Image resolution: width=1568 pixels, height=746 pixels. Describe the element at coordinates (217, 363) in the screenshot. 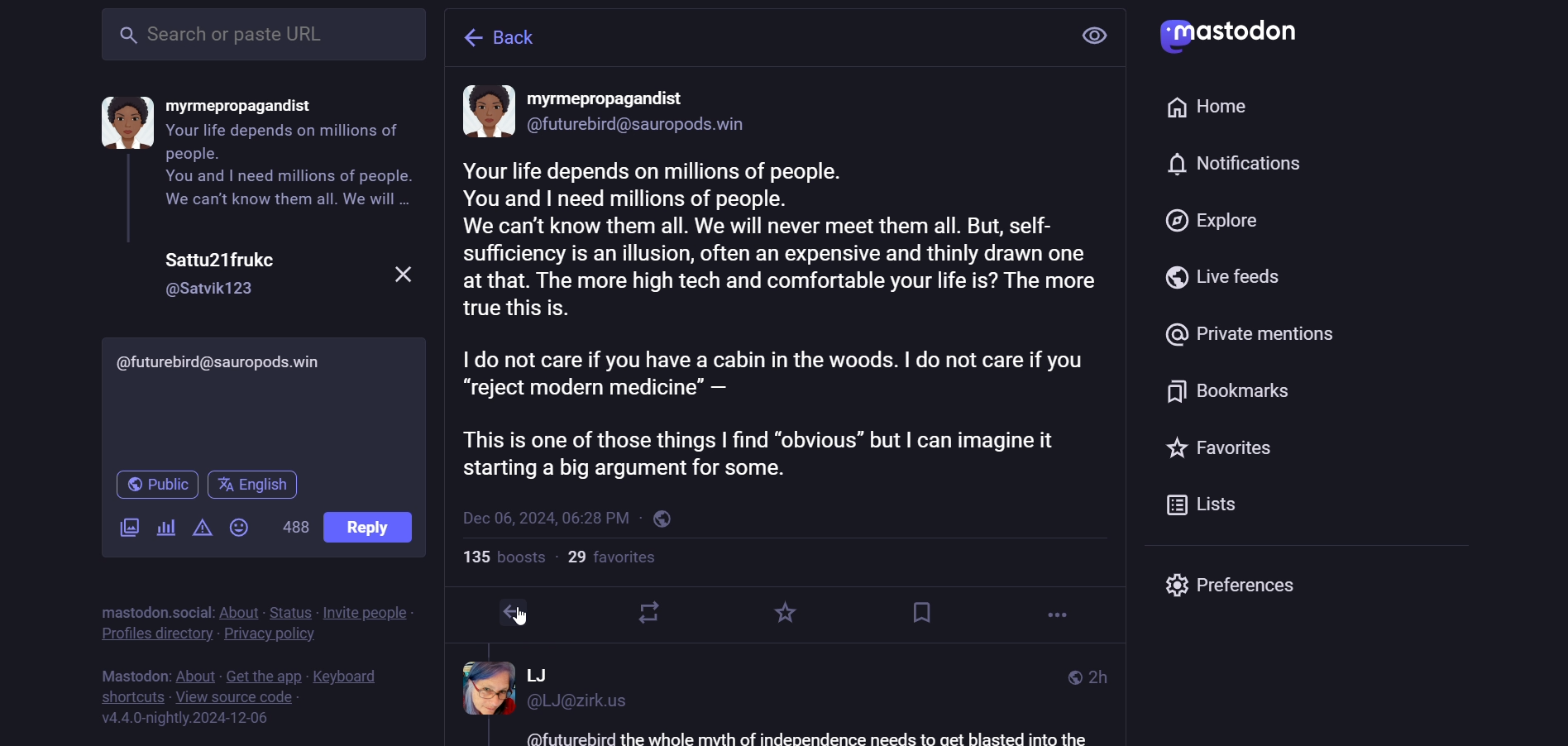

I see `id` at that location.